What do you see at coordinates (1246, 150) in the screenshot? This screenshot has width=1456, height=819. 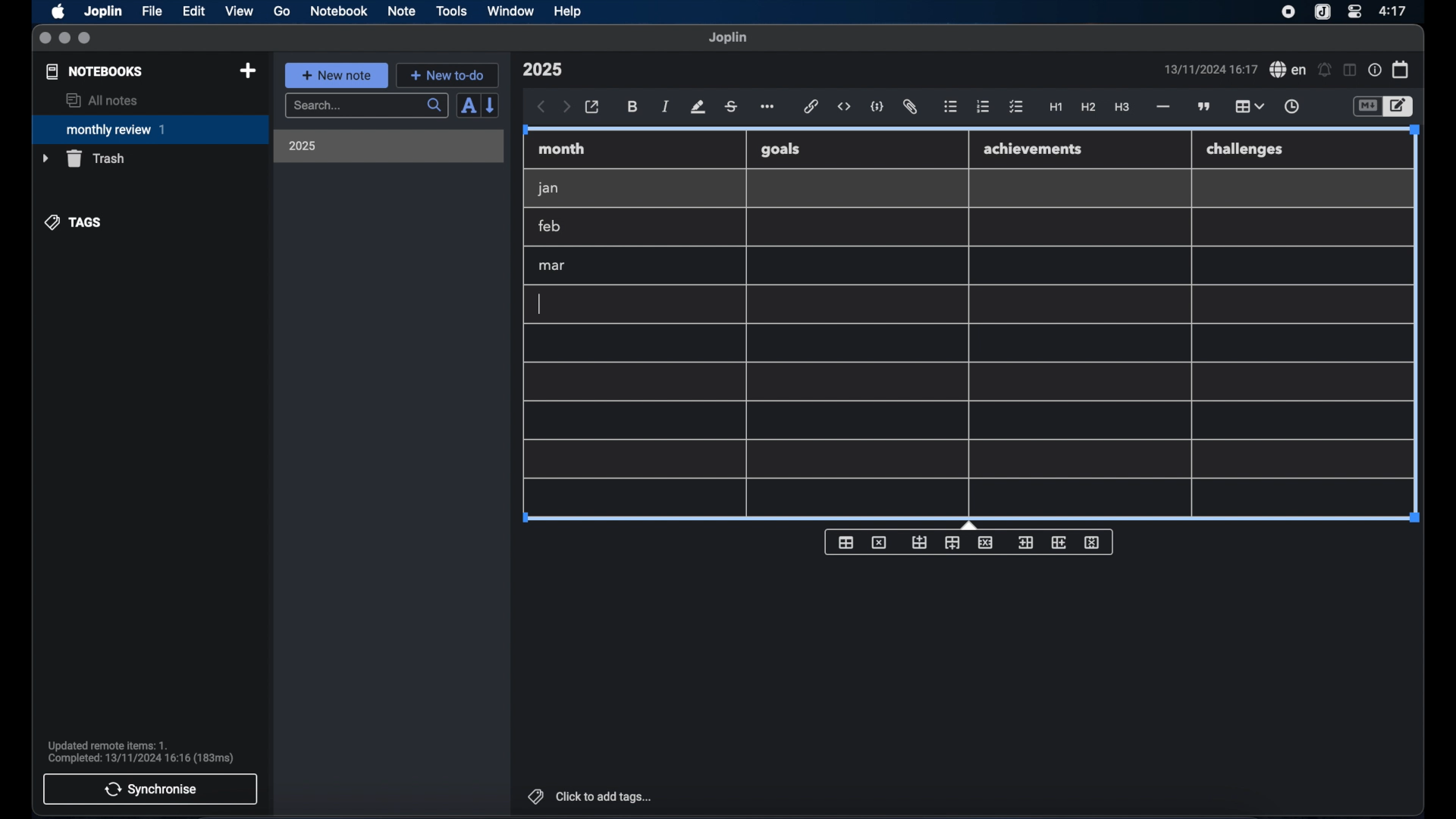 I see `challenges` at bounding box center [1246, 150].